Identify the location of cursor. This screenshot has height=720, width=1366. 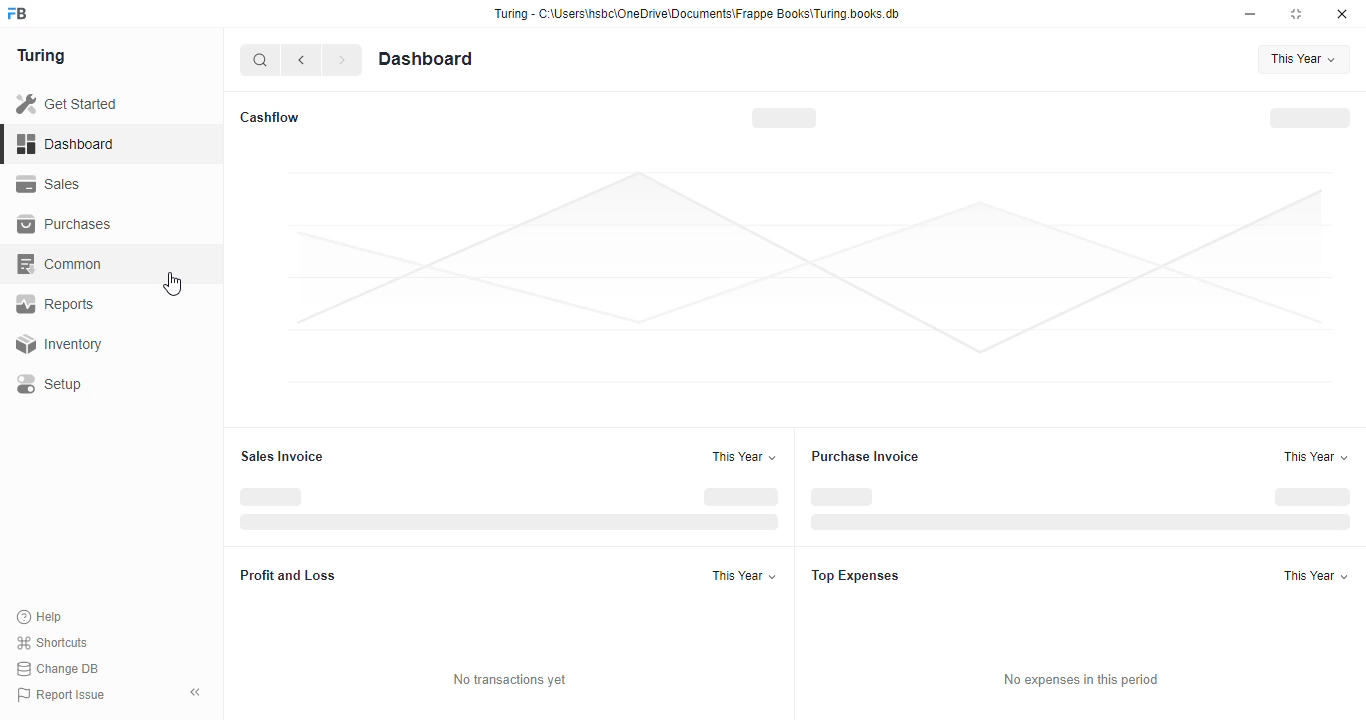
(172, 283).